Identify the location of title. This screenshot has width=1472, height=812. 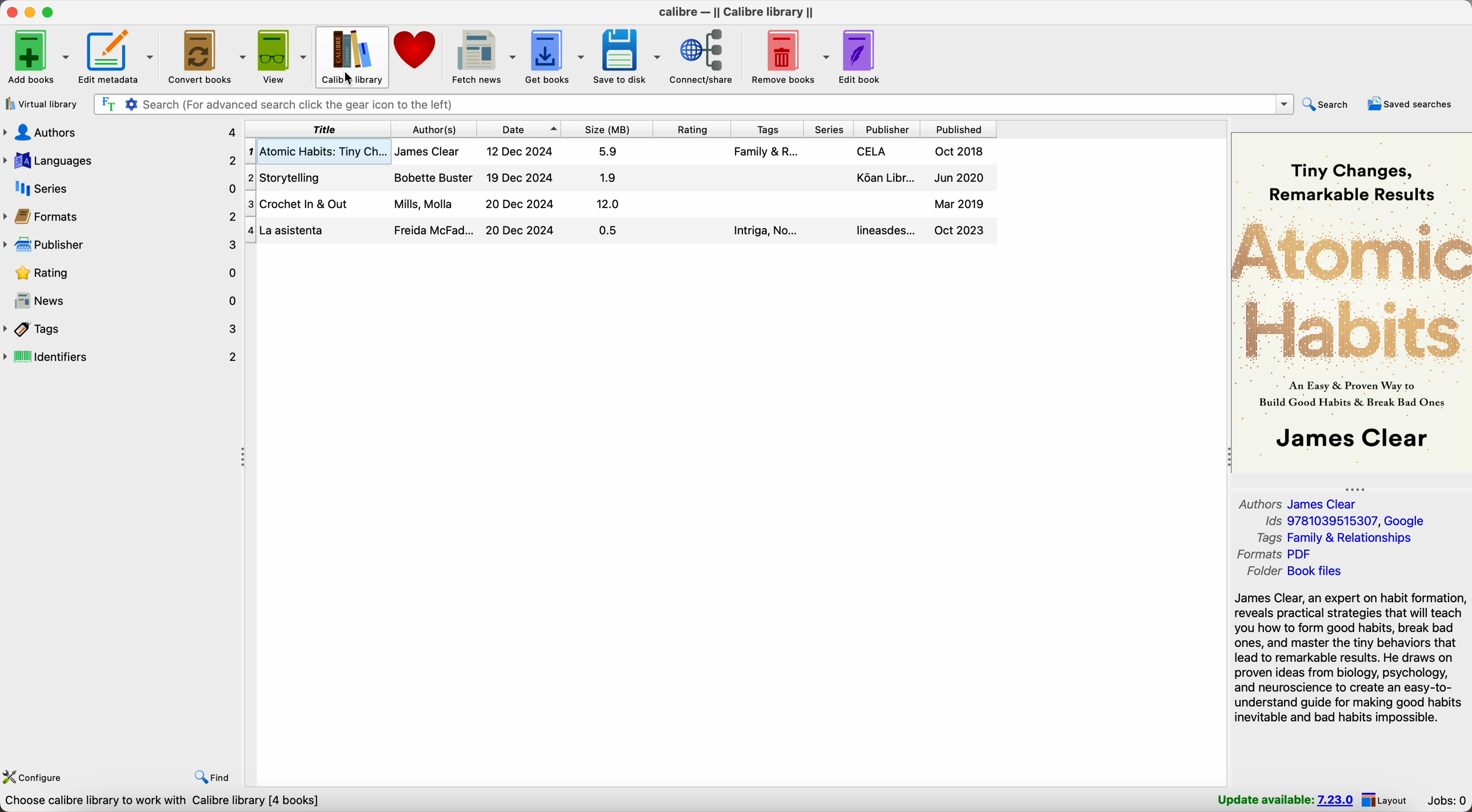
(317, 129).